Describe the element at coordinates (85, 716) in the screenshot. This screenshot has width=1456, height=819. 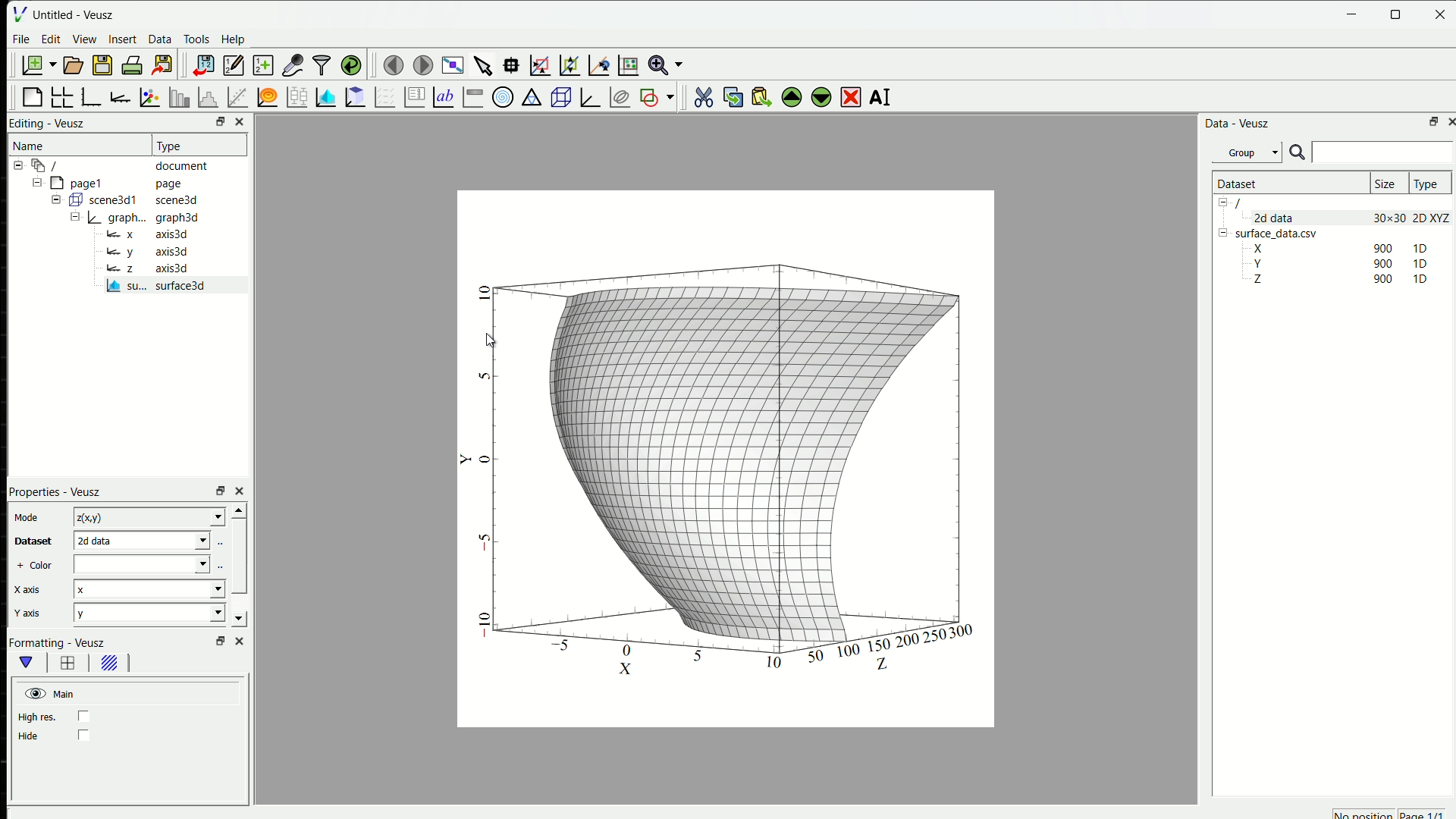
I see `checkbox` at that location.